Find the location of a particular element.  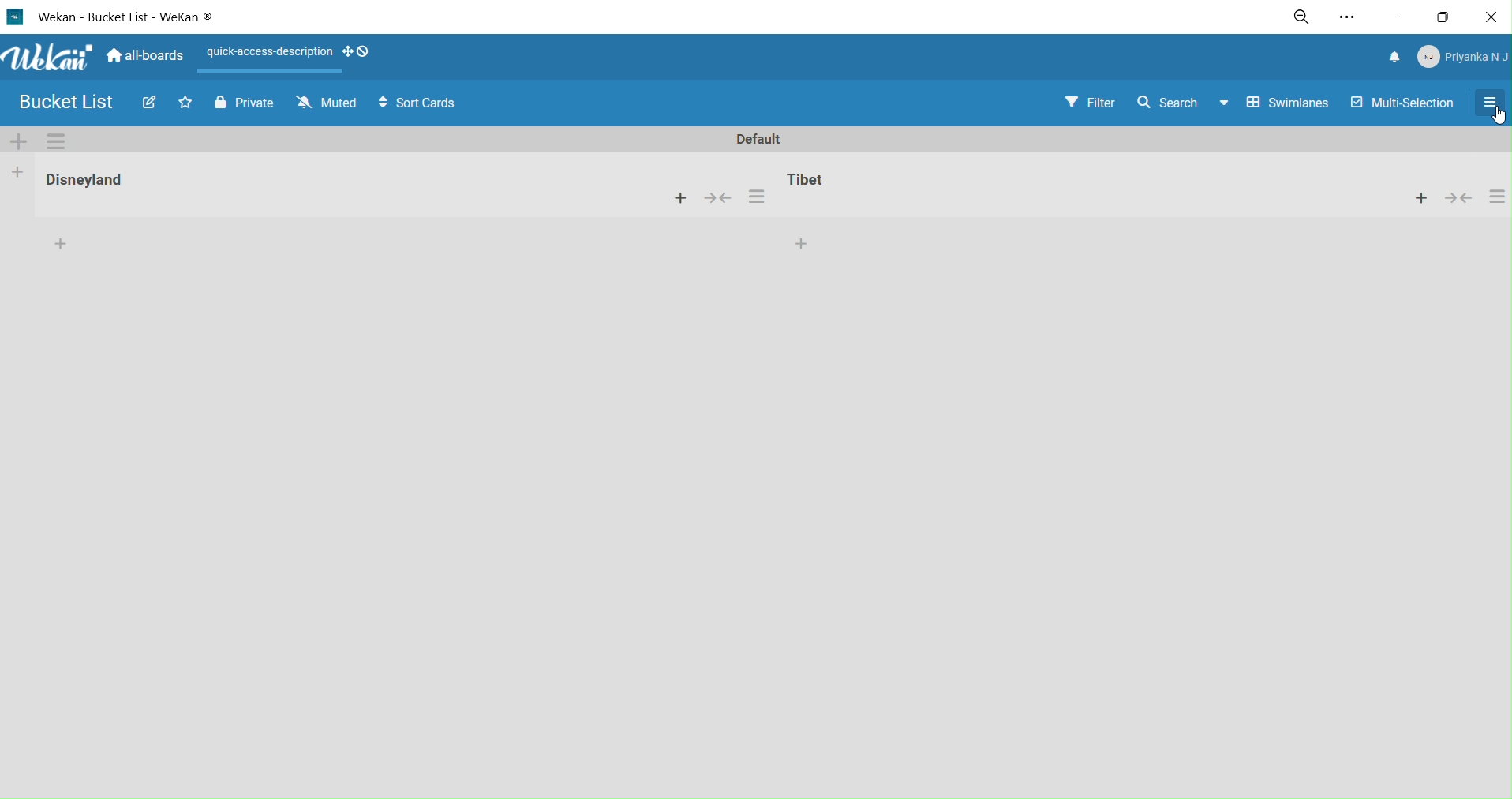

selecting open sidebar or close sidebar is located at coordinates (1492, 104).